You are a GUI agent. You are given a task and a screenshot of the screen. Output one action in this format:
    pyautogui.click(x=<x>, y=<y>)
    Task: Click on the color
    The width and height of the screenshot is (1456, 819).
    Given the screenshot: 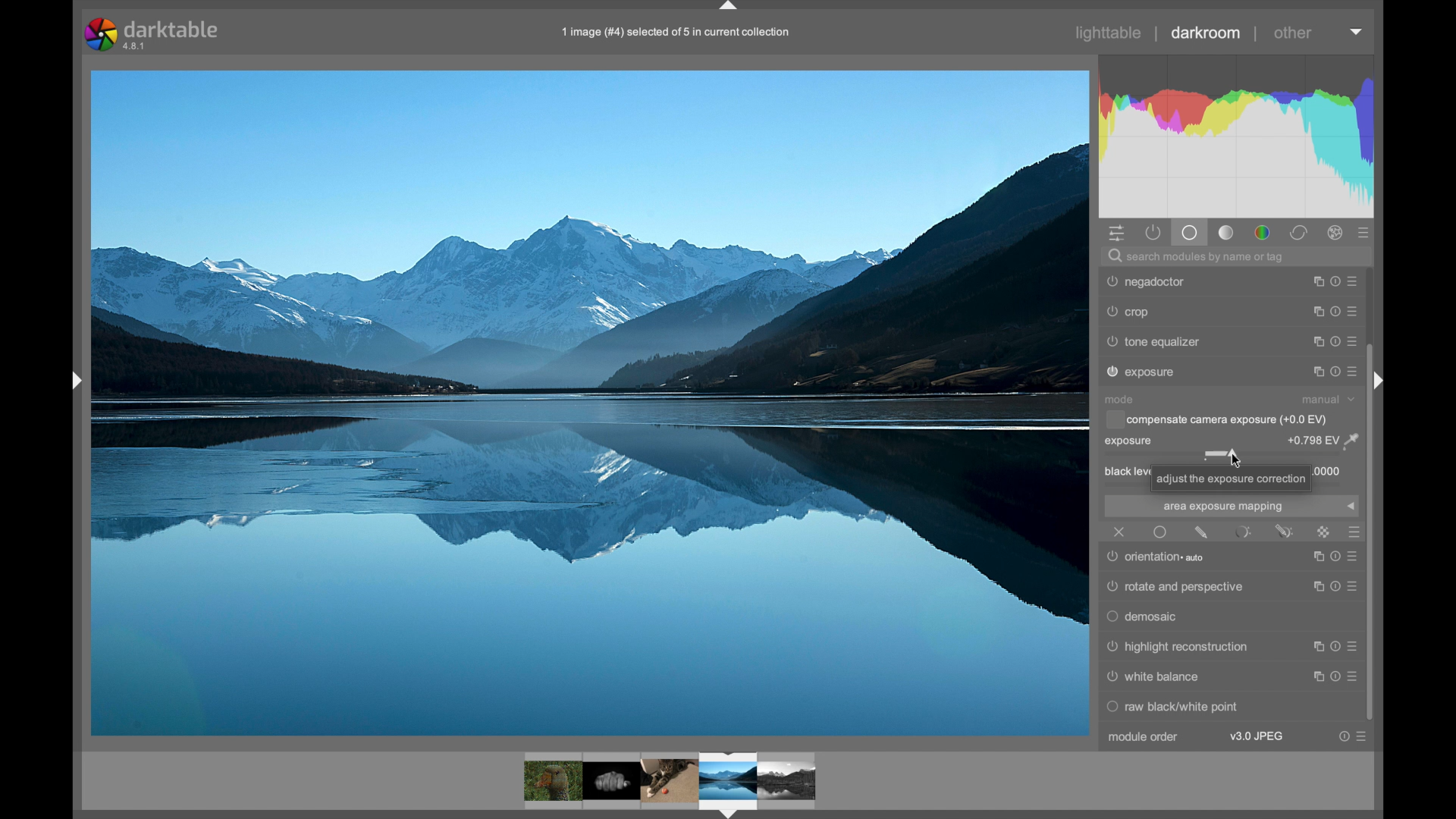 What is the action you would take?
    pyautogui.click(x=1262, y=233)
    